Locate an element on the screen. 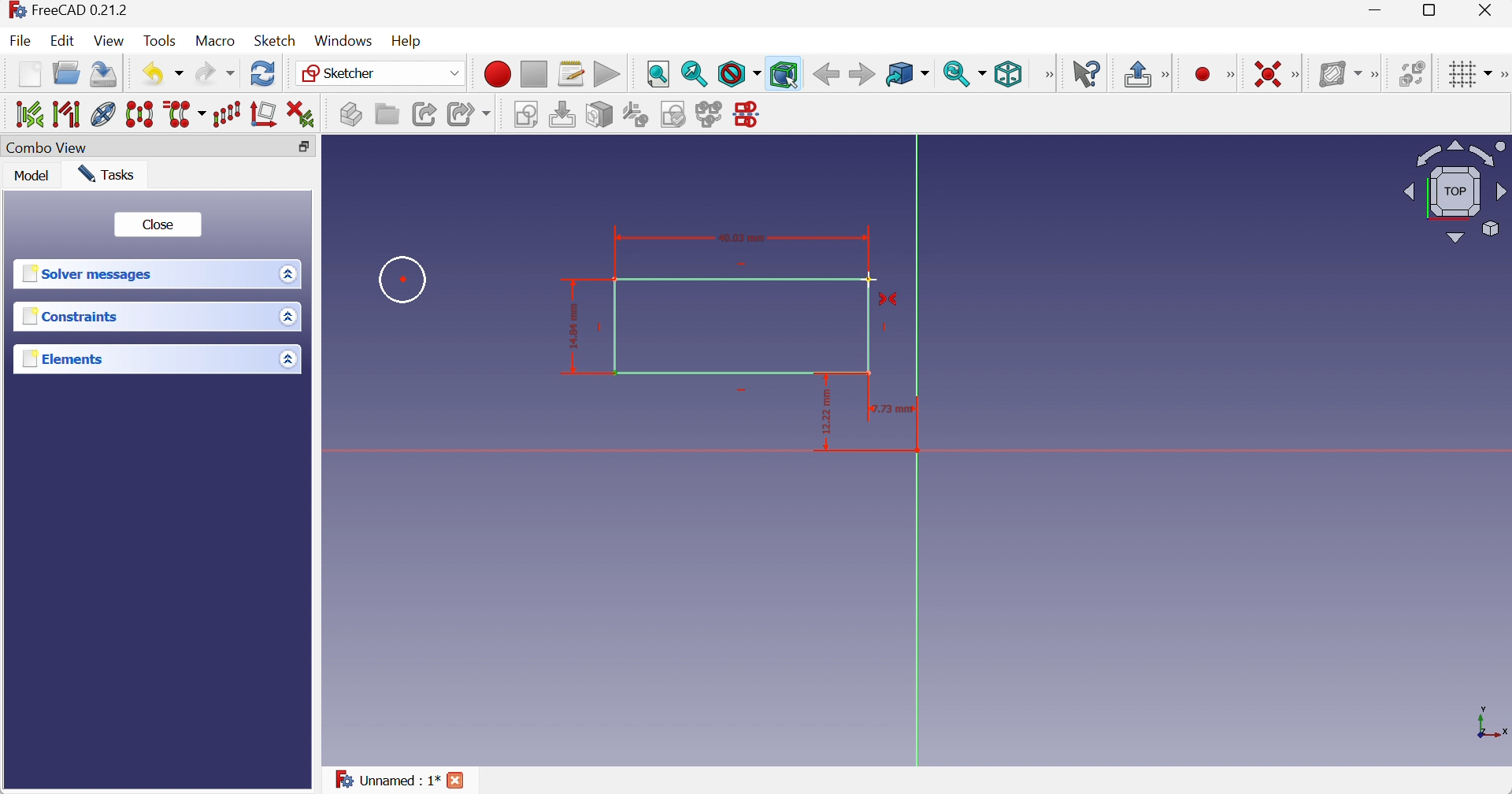 The image size is (1512, 794). Close is located at coordinates (1486, 11).